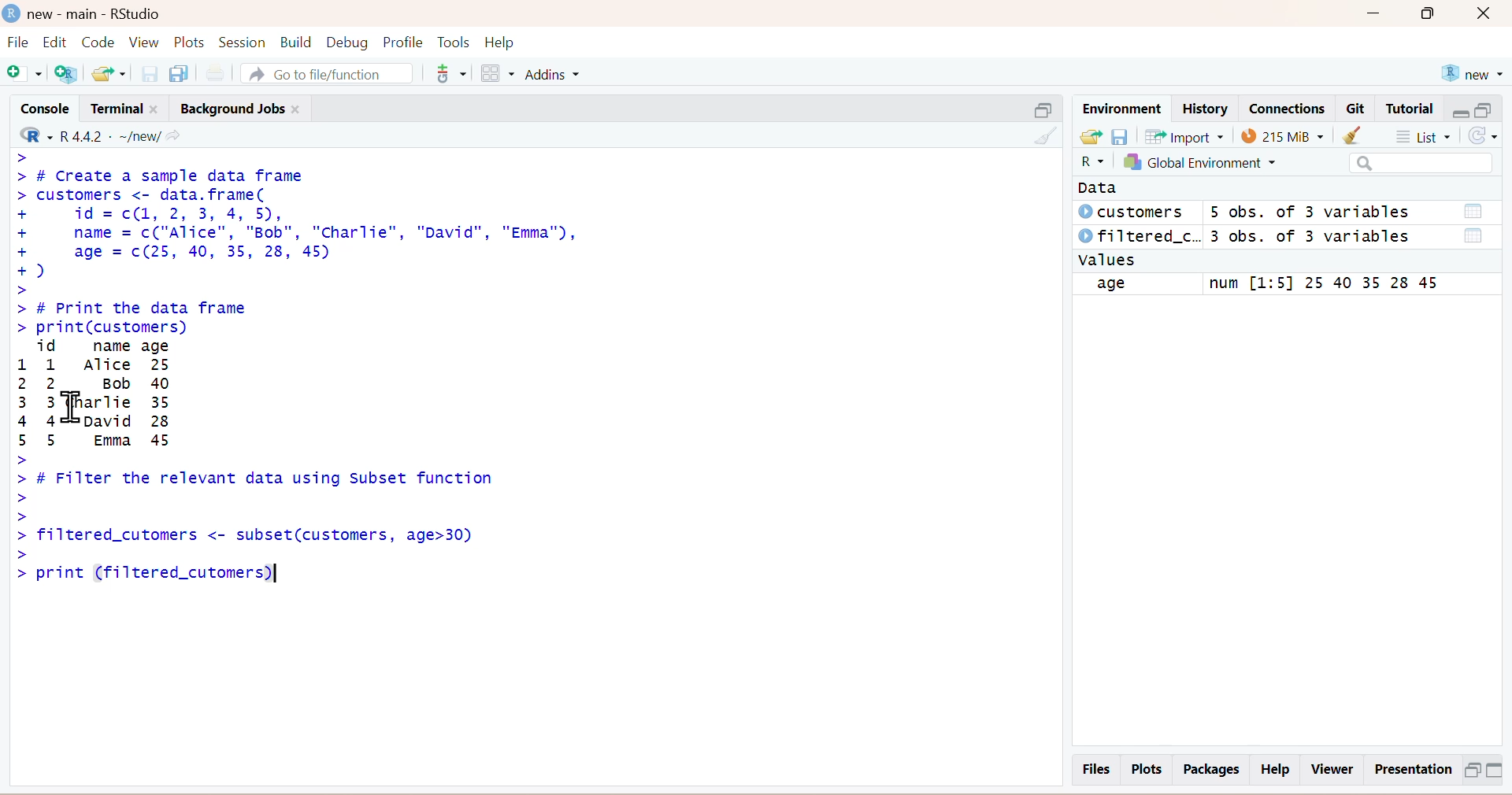 This screenshot has width=1512, height=795. What do you see at coordinates (85, 11) in the screenshot?
I see `new - main - RStudio` at bounding box center [85, 11].